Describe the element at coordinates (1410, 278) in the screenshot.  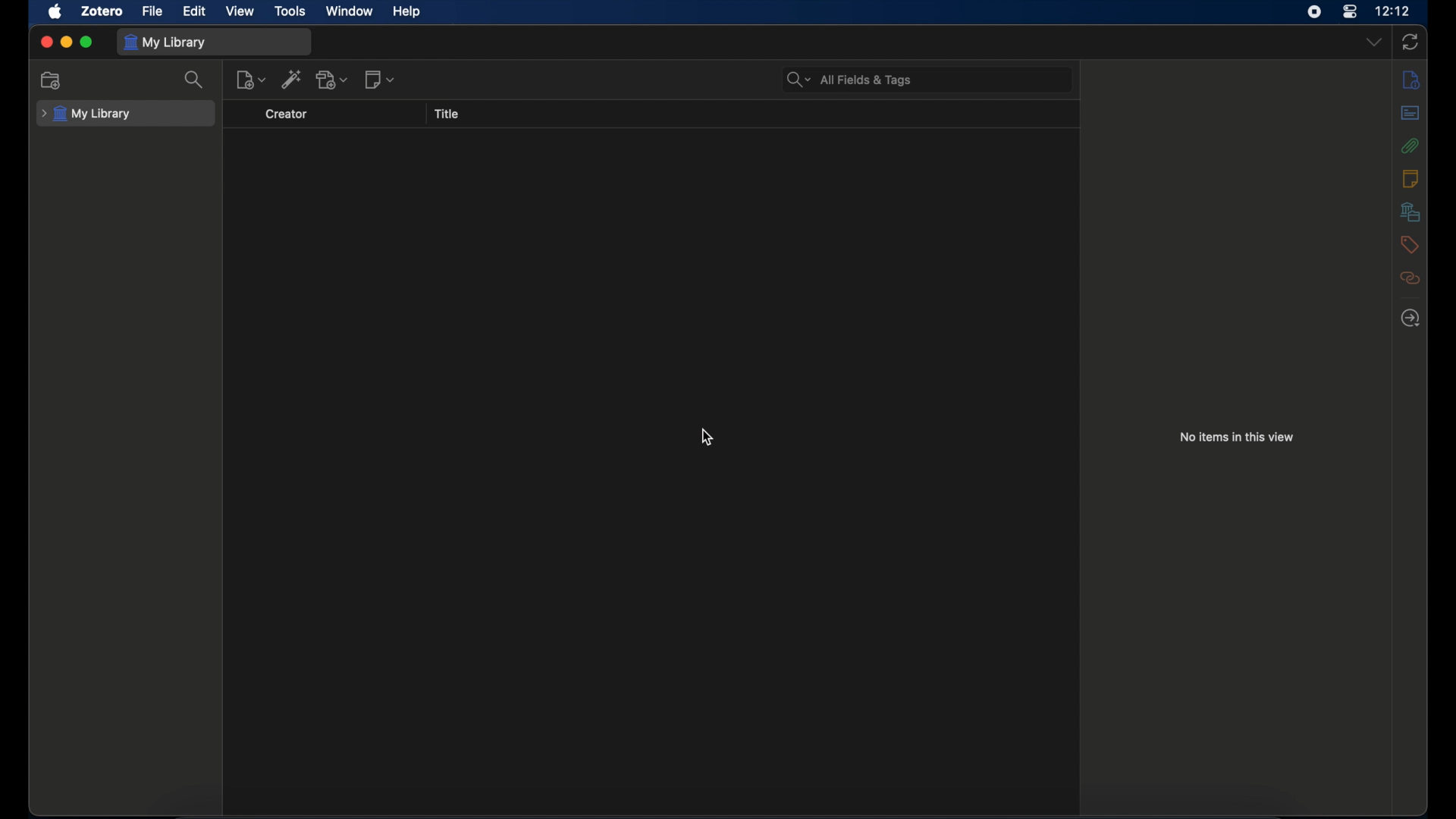
I see `related` at that location.